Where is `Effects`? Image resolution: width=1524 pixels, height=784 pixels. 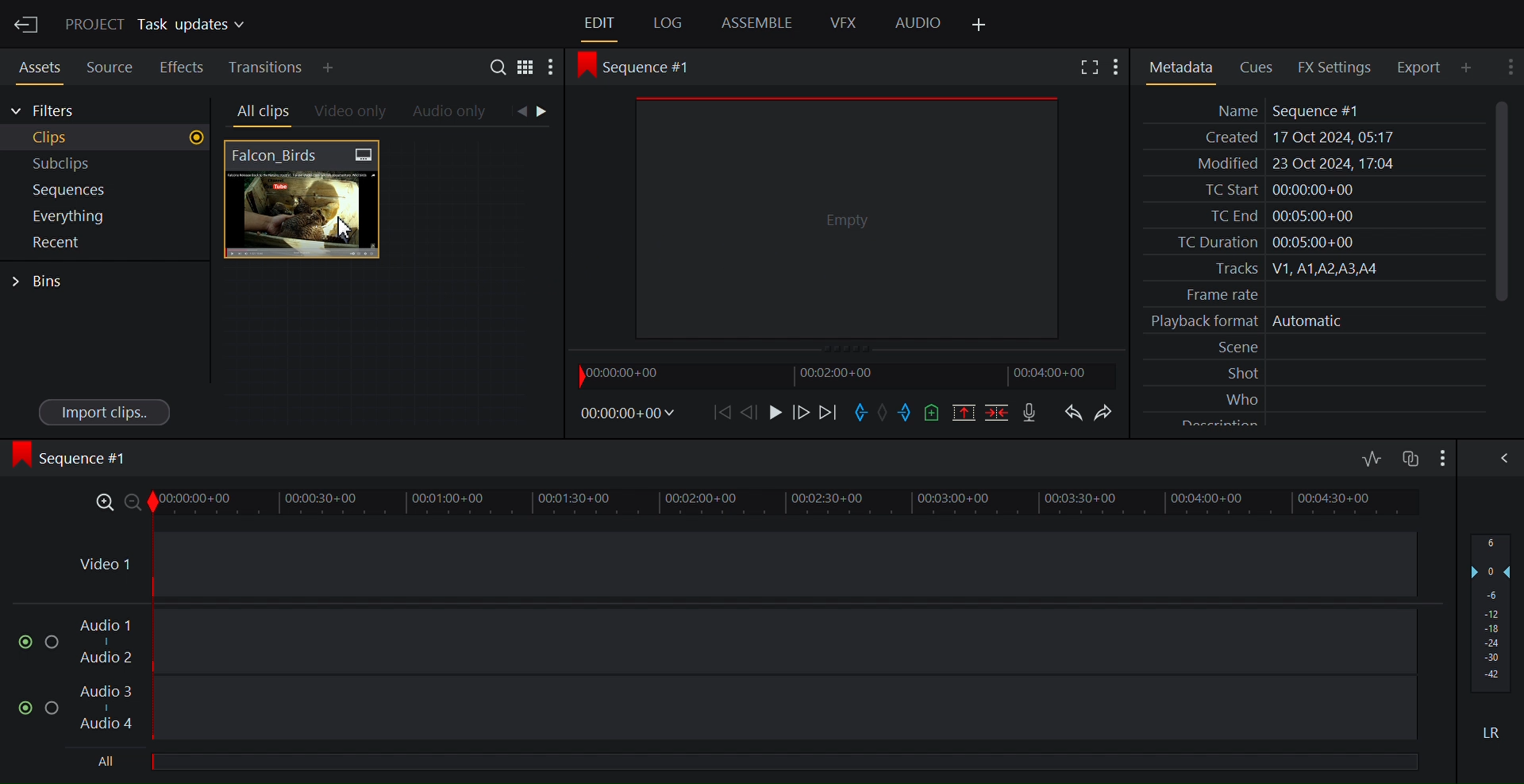 Effects is located at coordinates (182, 65).